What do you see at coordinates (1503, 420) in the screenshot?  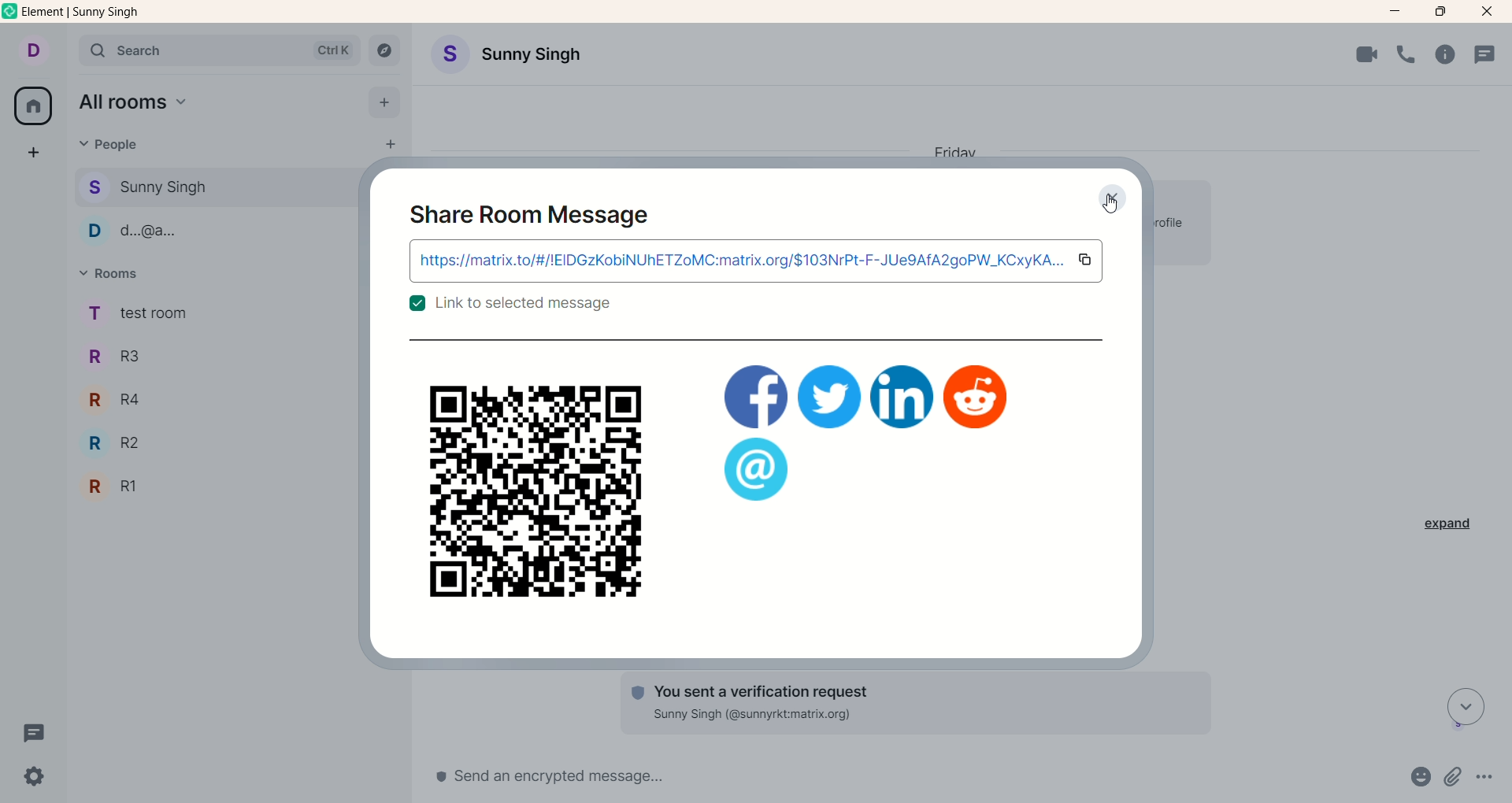 I see `vertical scroll bar` at bounding box center [1503, 420].